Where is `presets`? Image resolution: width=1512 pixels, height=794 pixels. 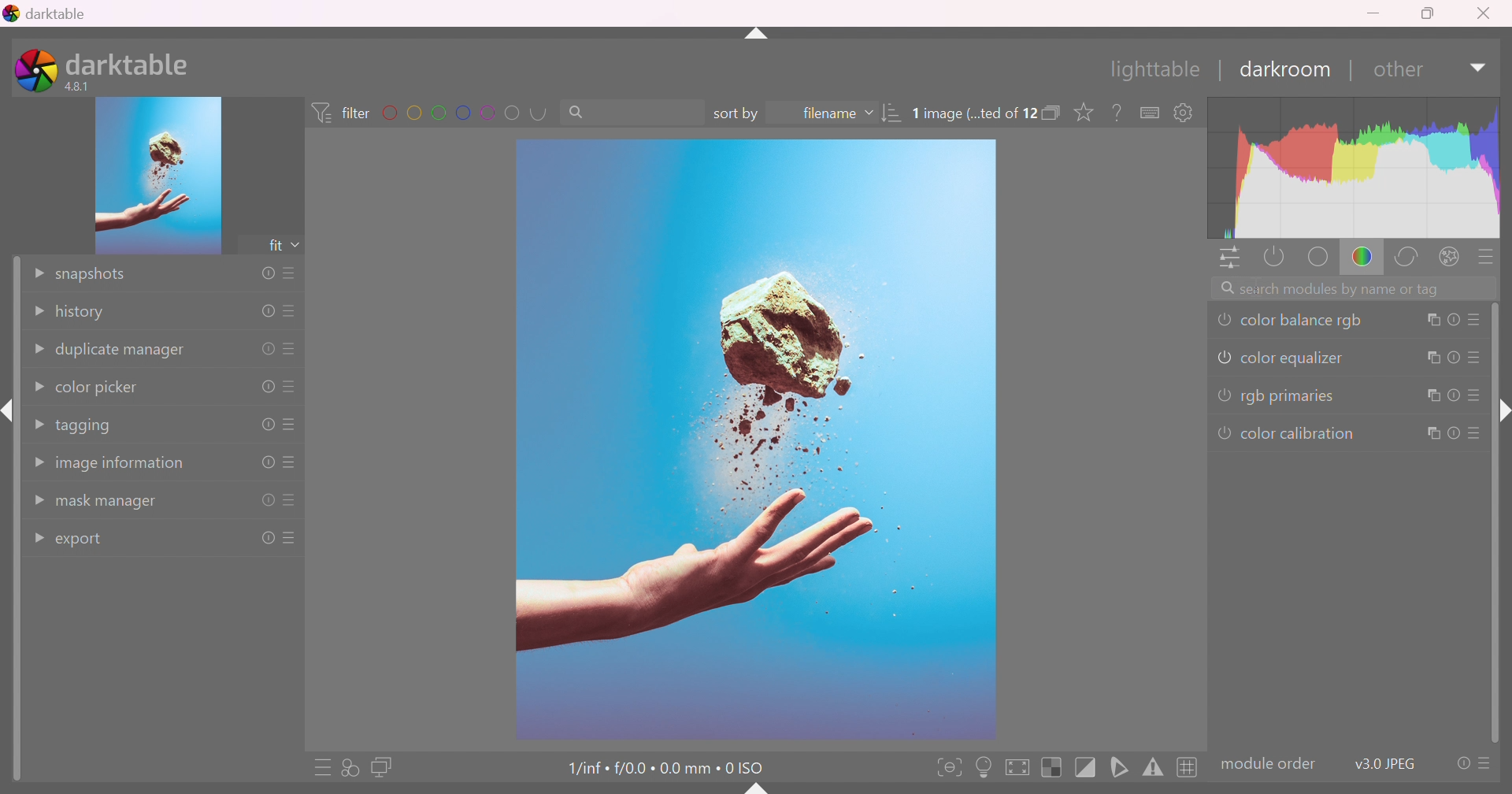 presets is located at coordinates (292, 311).